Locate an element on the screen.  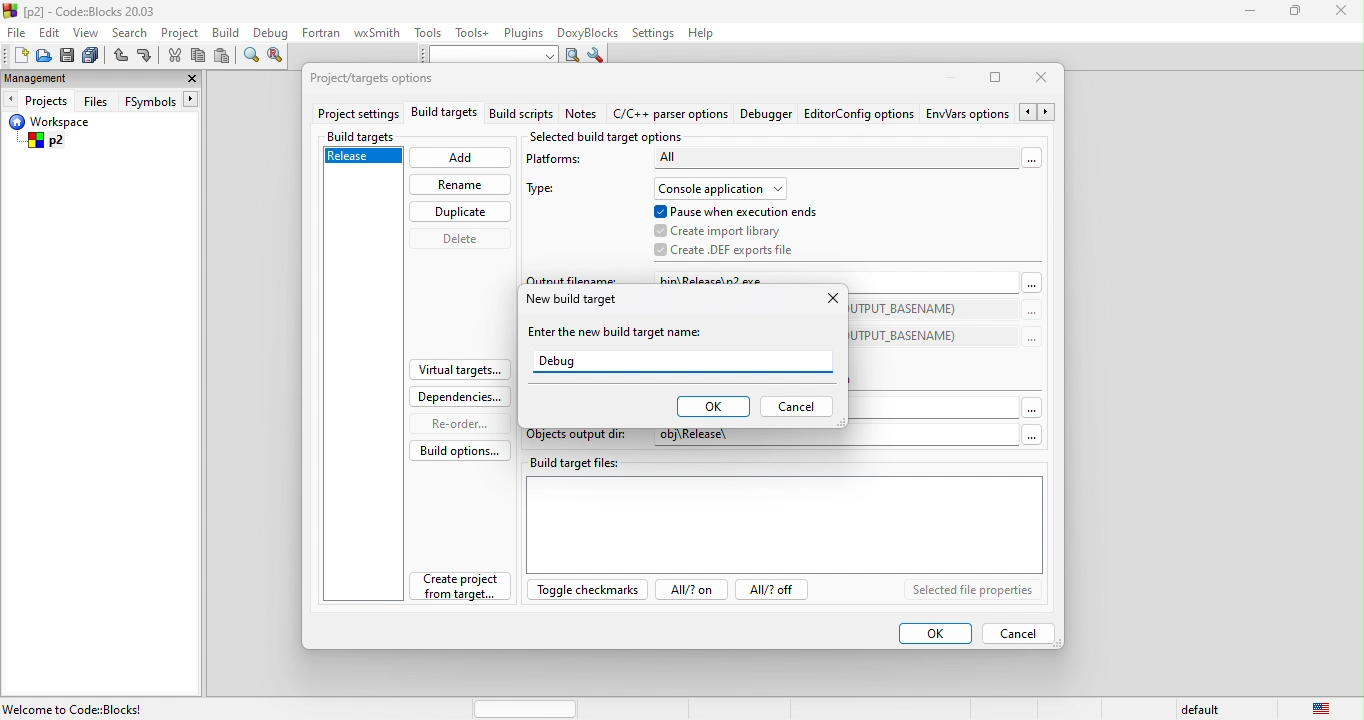
pause when execution ends is located at coordinates (736, 211).